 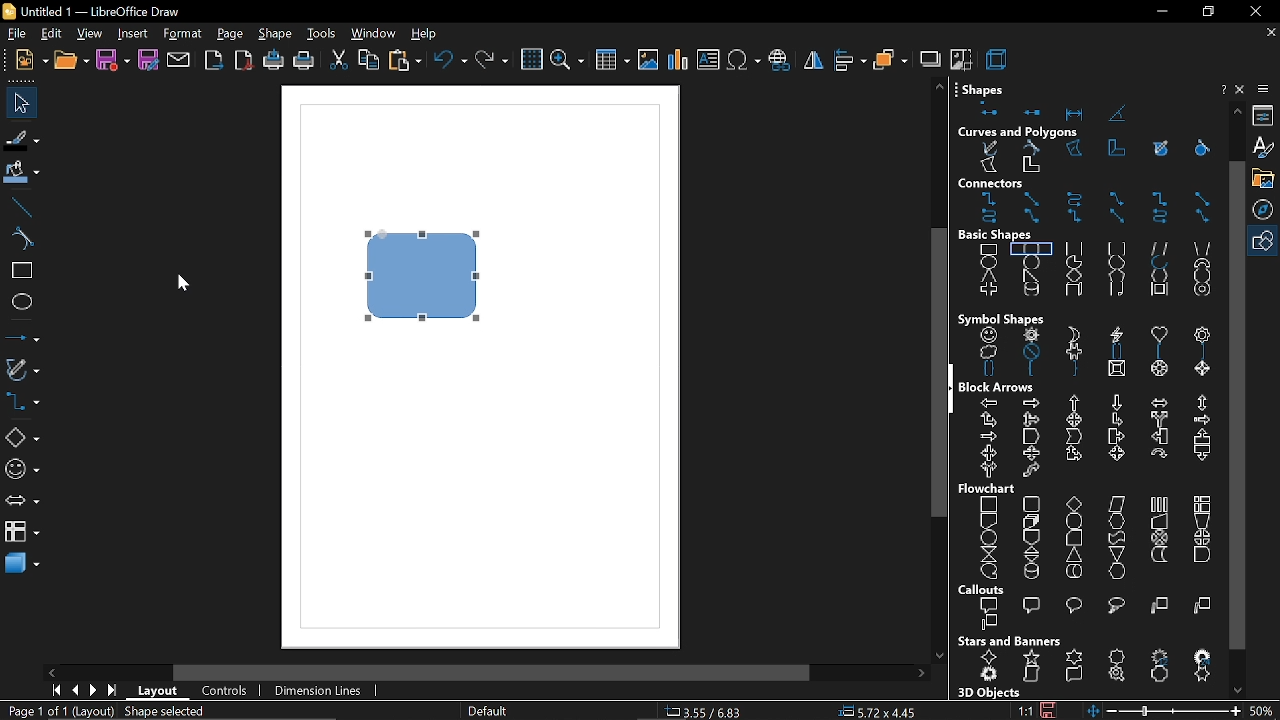 I want to click on navigator, so click(x=1266, y=211).